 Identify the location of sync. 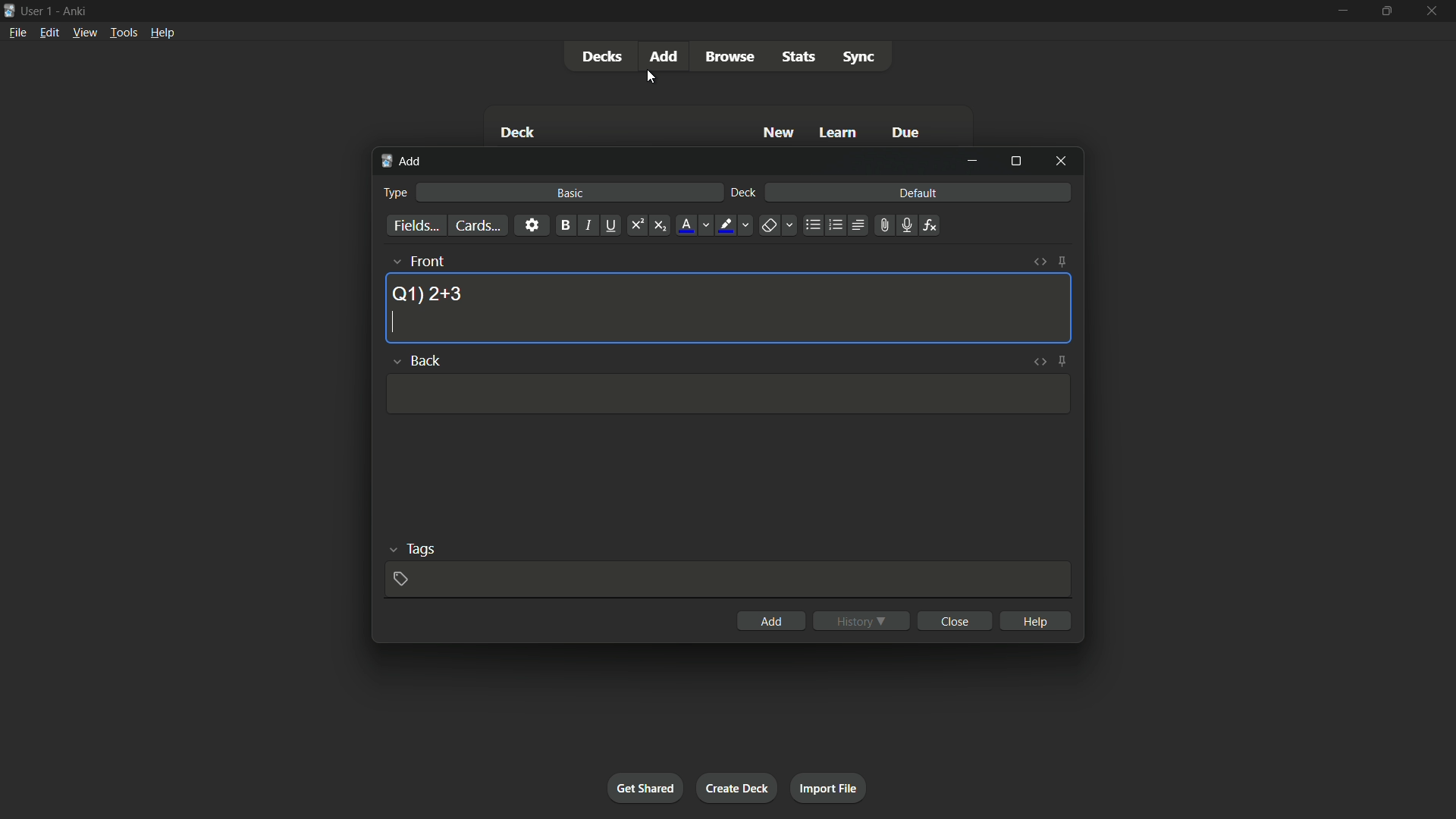
(859, 58).